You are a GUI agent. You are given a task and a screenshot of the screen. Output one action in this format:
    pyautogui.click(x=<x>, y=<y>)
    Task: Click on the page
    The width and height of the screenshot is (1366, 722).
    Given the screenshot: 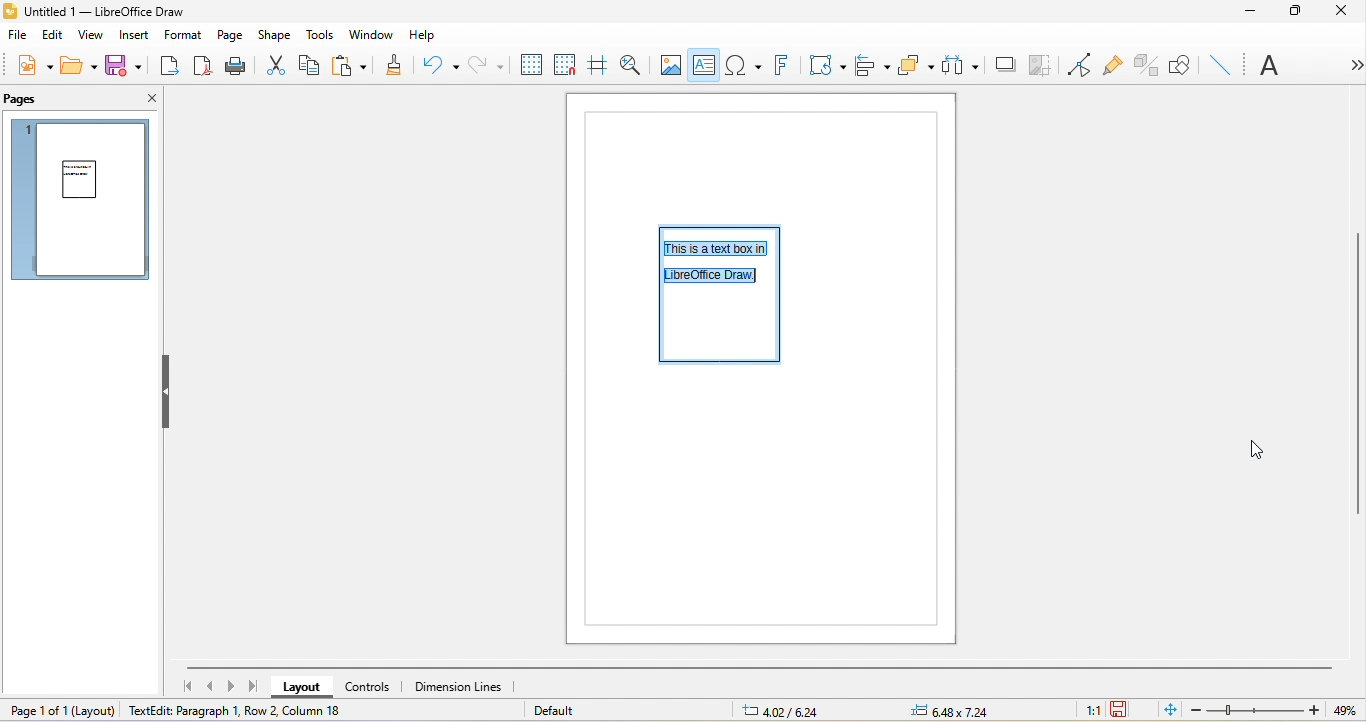 What is the action you would take?
    pyautogui.click(x=232, y=36)
    